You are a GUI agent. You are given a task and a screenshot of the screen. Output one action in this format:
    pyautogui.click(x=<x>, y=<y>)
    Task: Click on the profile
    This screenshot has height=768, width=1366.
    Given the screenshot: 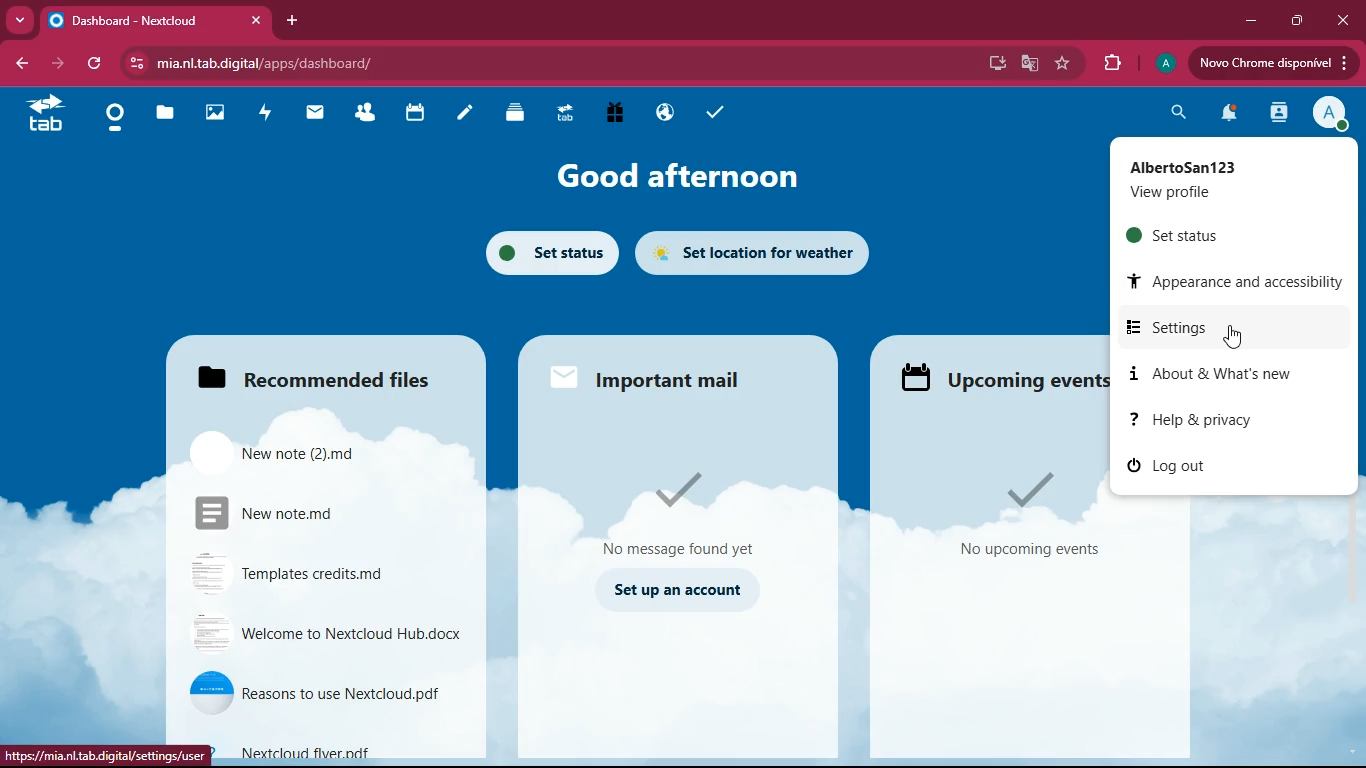 What is the action you would take?
    pyautogui.click(x=1165, y=63)
    